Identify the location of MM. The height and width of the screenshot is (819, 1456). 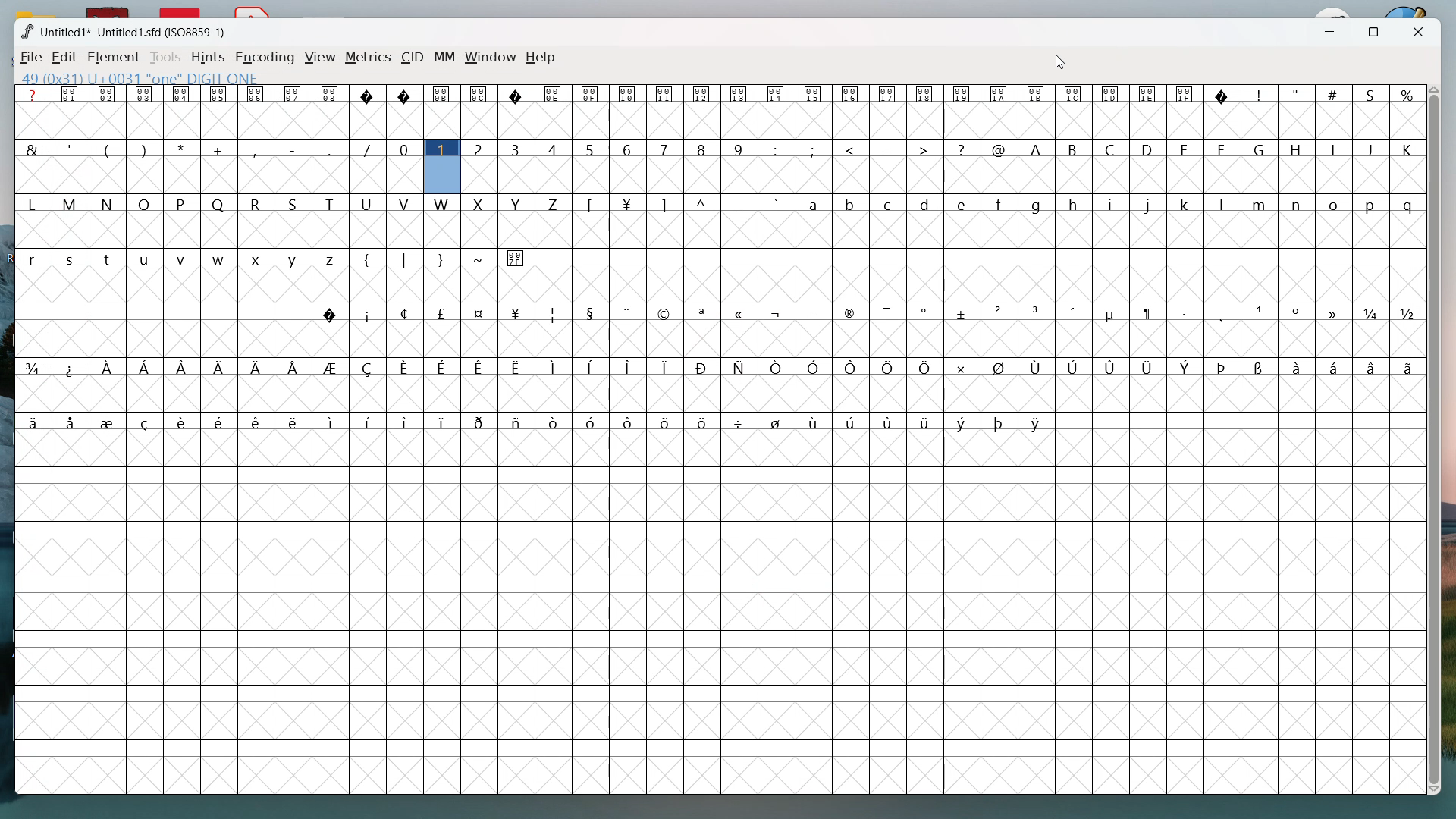
(445, 58).